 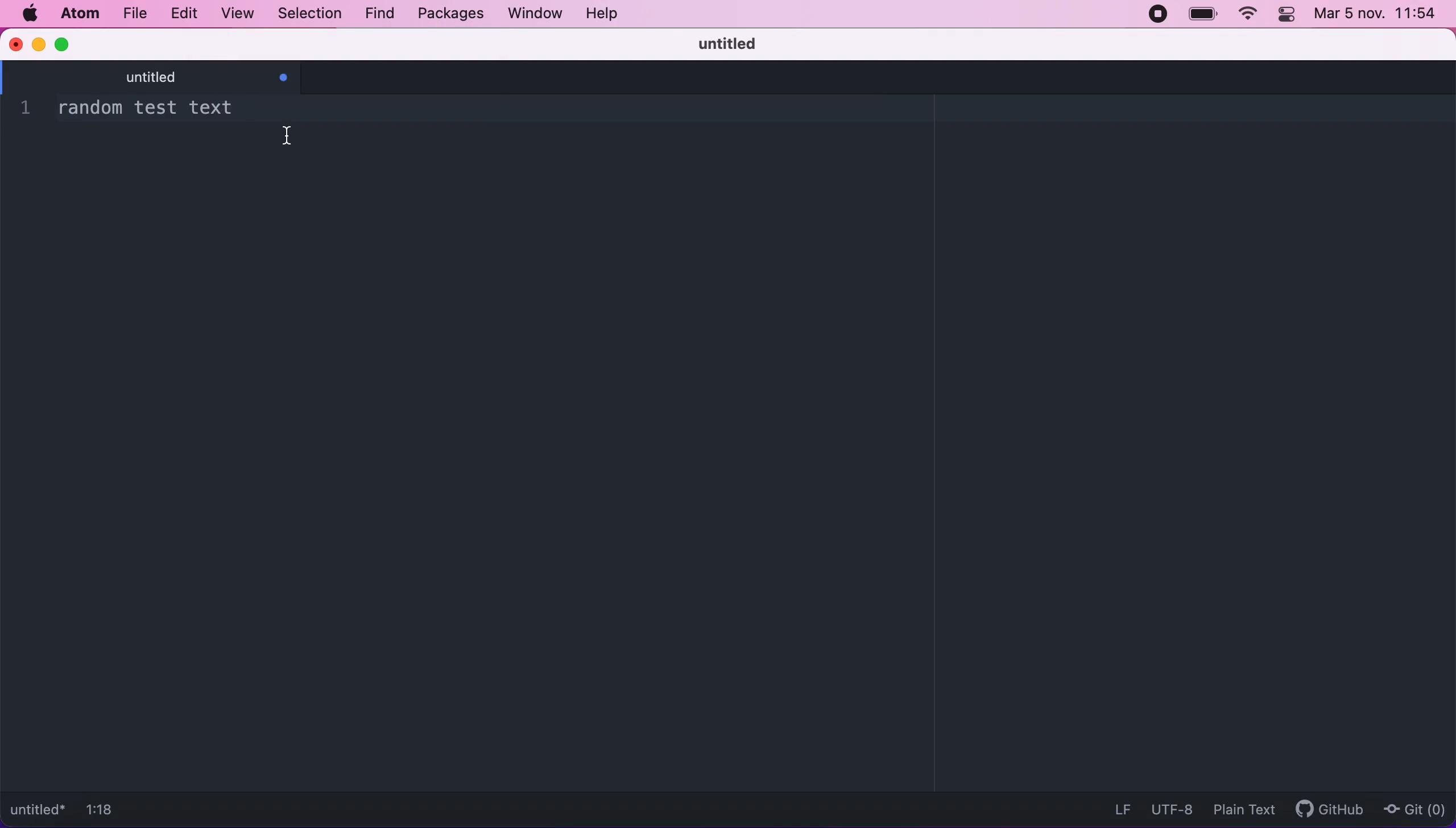 What do you see at coordinates (238, 14) in the screenshot?
I see `view` at bounding box center [238, 14].